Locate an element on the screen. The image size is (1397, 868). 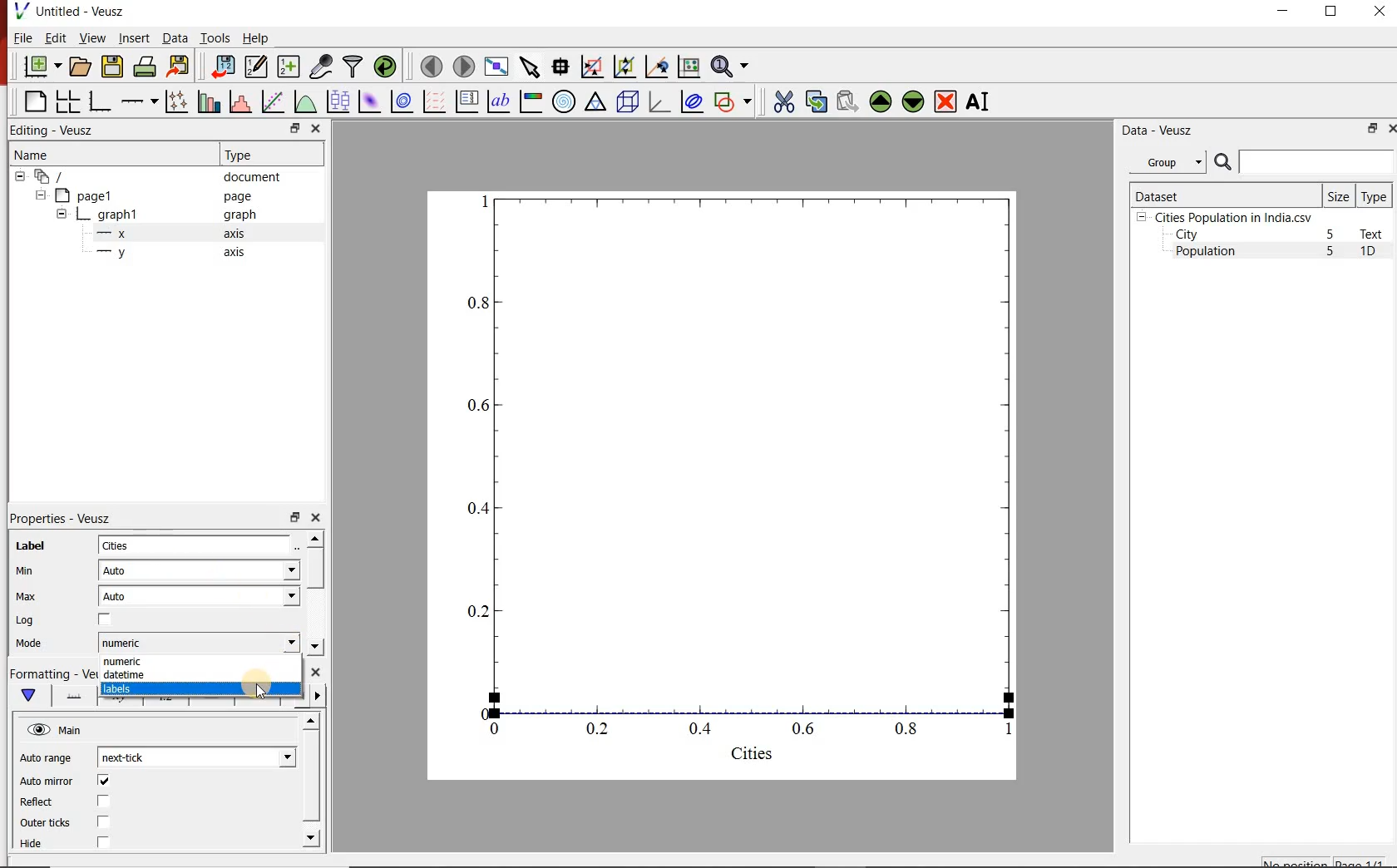
zoom functions menu is located at coordinates (733, 67).